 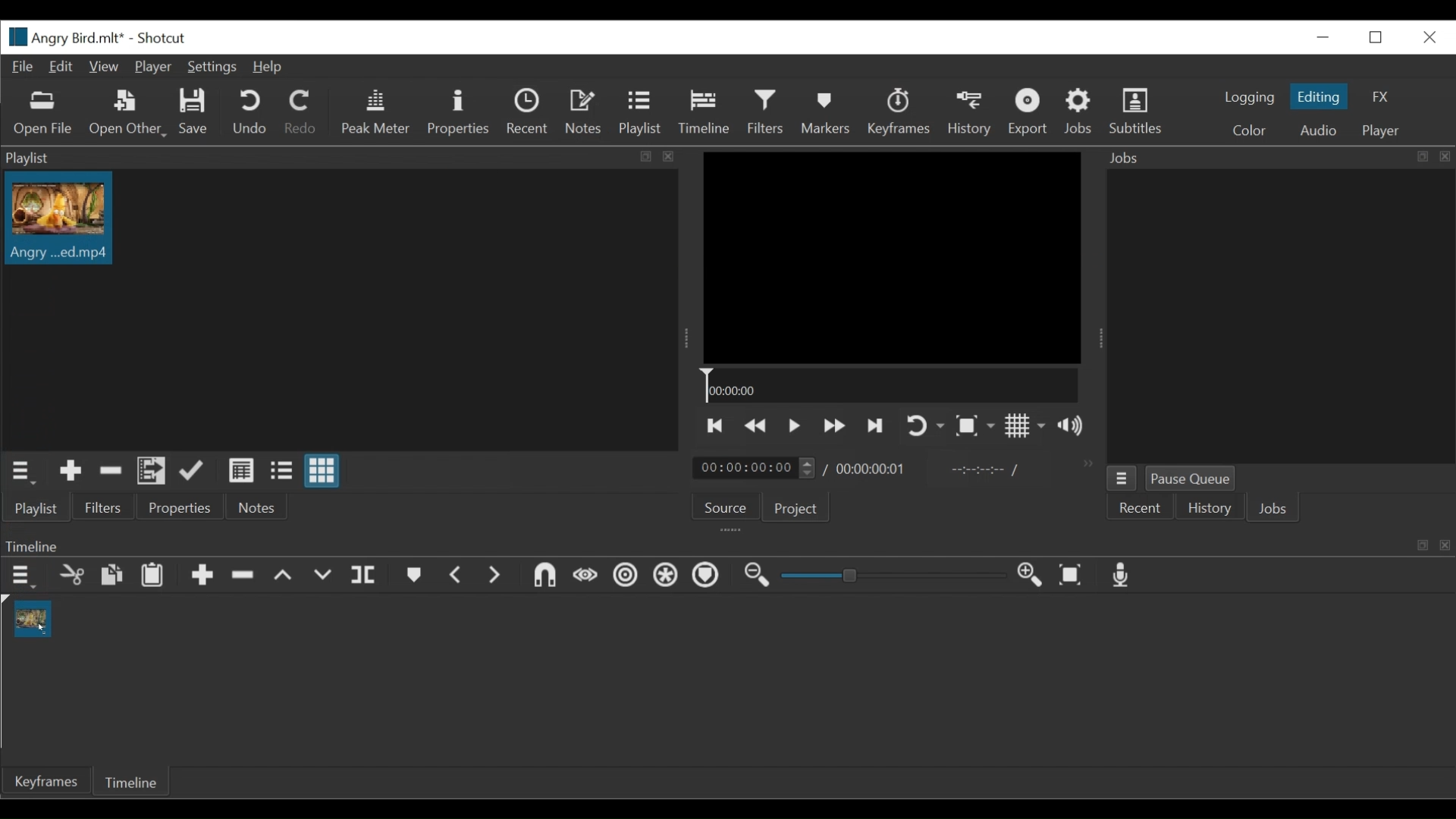 What do you see at coordinates (102, 67) in the screenshot?
I see `View` at bounding box center [102, 67].